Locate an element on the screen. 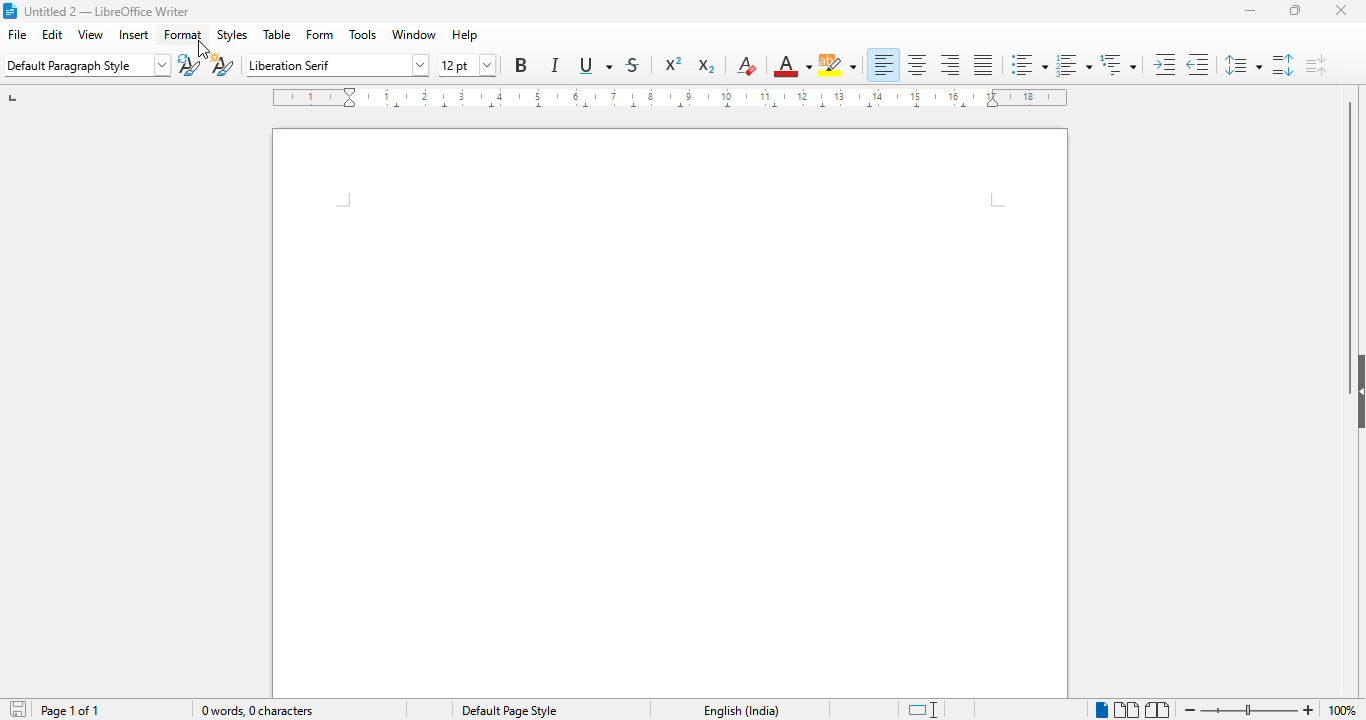 The height and width of the screenshot is (720, 1366). set outline format is located at coordinates (1118, 65).